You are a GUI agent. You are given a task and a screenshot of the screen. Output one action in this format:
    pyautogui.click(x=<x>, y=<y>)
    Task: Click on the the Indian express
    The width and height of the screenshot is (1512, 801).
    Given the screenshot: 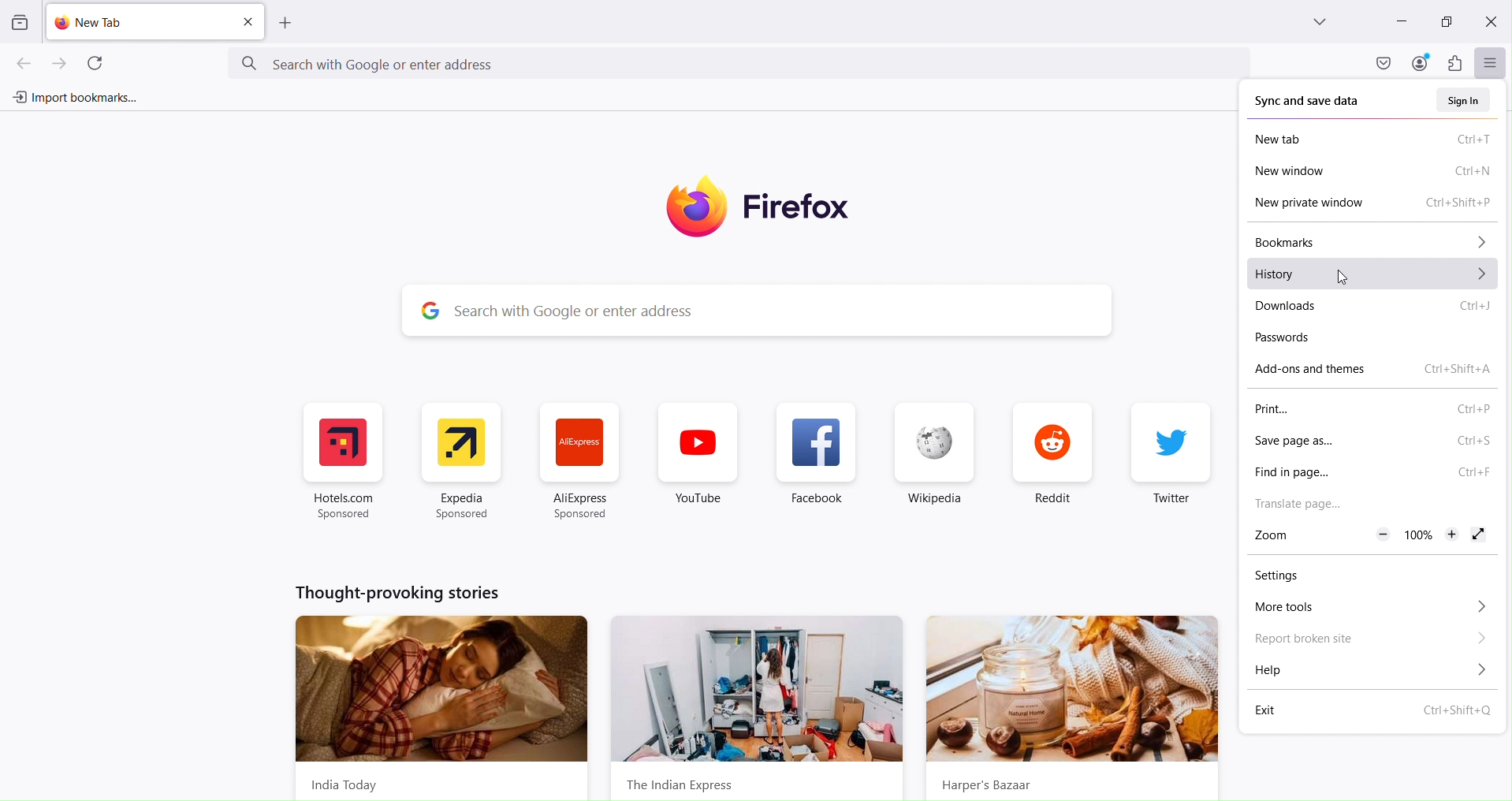 What is the action you would take?
    pyautogui.click(x=760, y=709)
    